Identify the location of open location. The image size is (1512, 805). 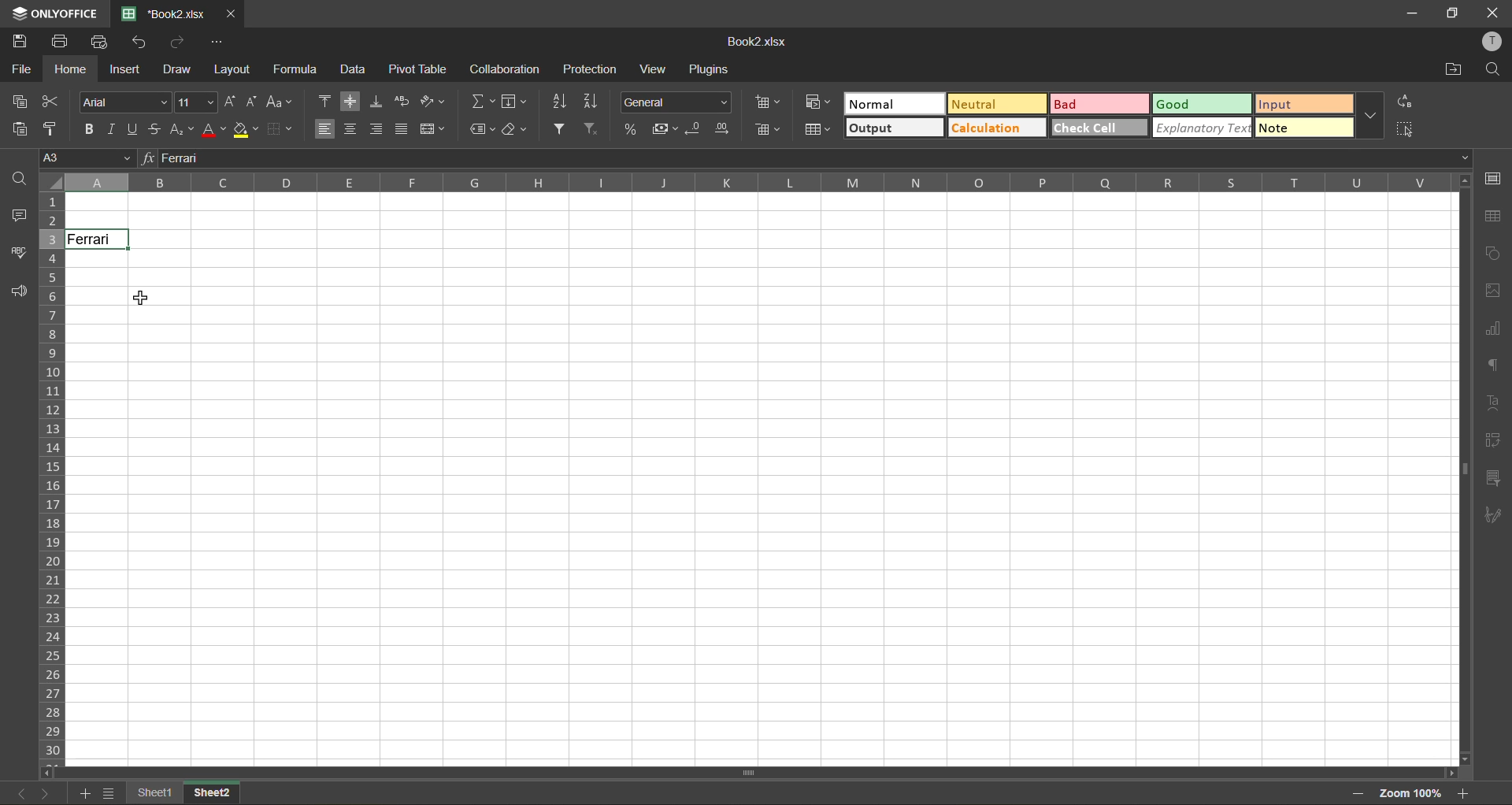
(1455, 71).